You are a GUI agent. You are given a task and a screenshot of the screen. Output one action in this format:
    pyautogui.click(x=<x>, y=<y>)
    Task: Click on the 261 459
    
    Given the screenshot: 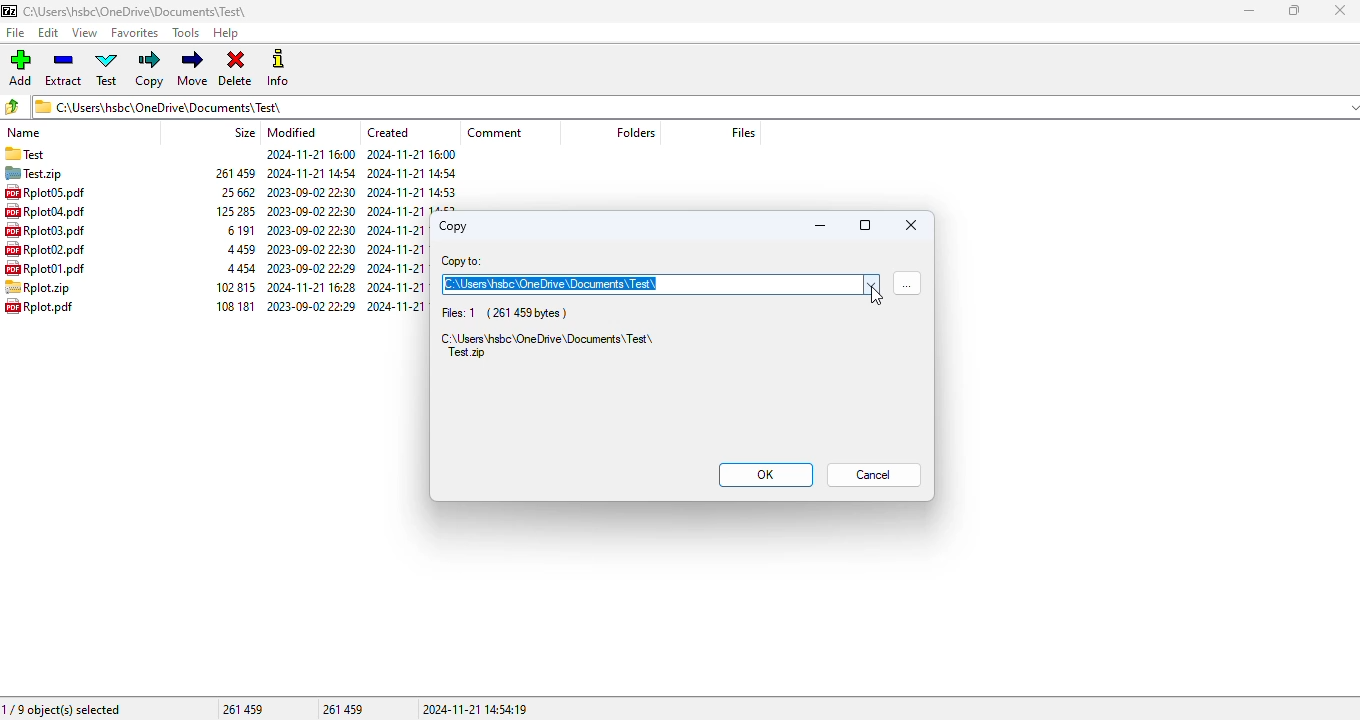 What is the action you would take?
    pyautogui.click(x=343, y=709)
    